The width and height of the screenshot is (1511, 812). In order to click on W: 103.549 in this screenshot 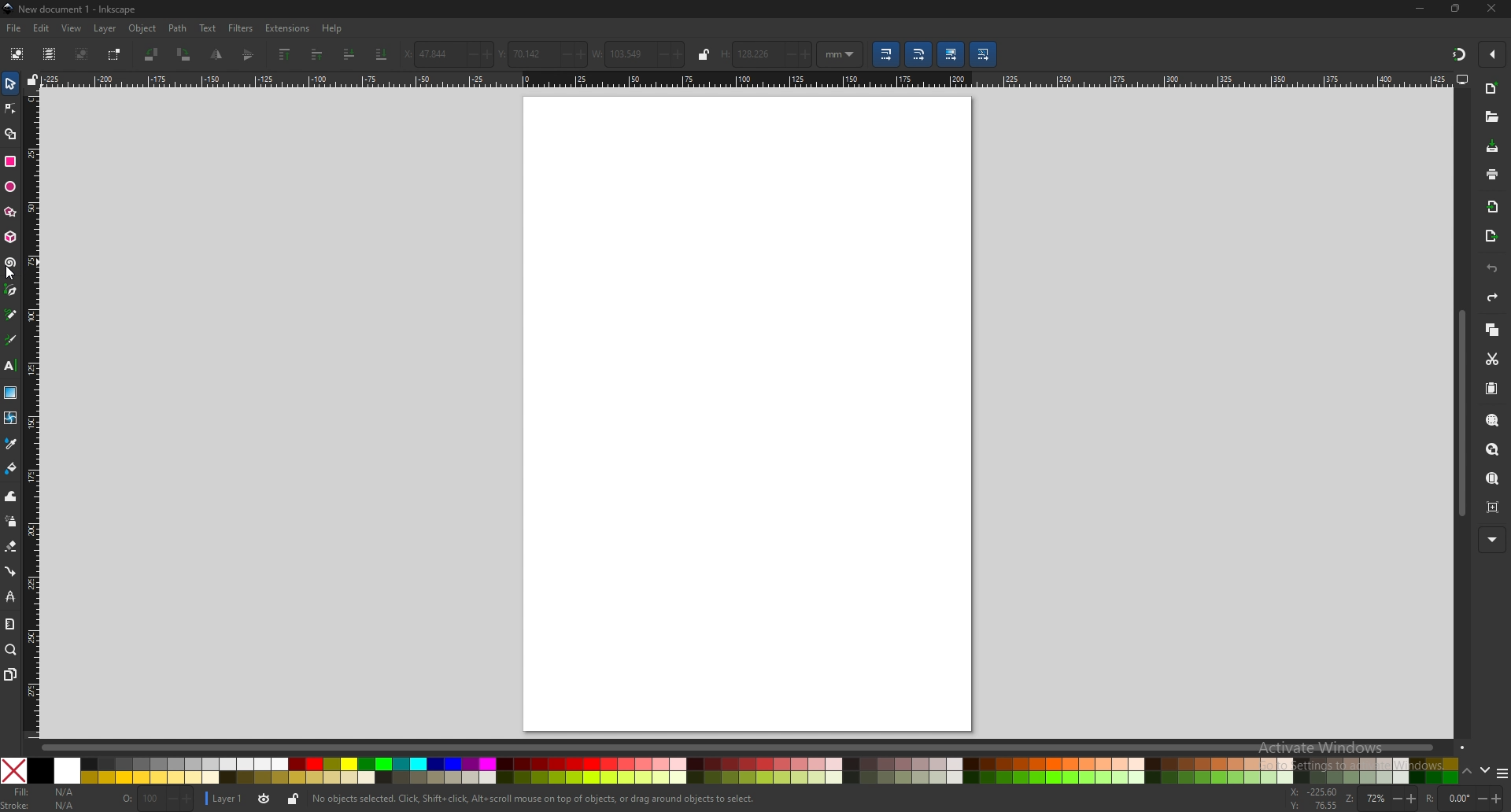, I will do `click(638, 54)`.